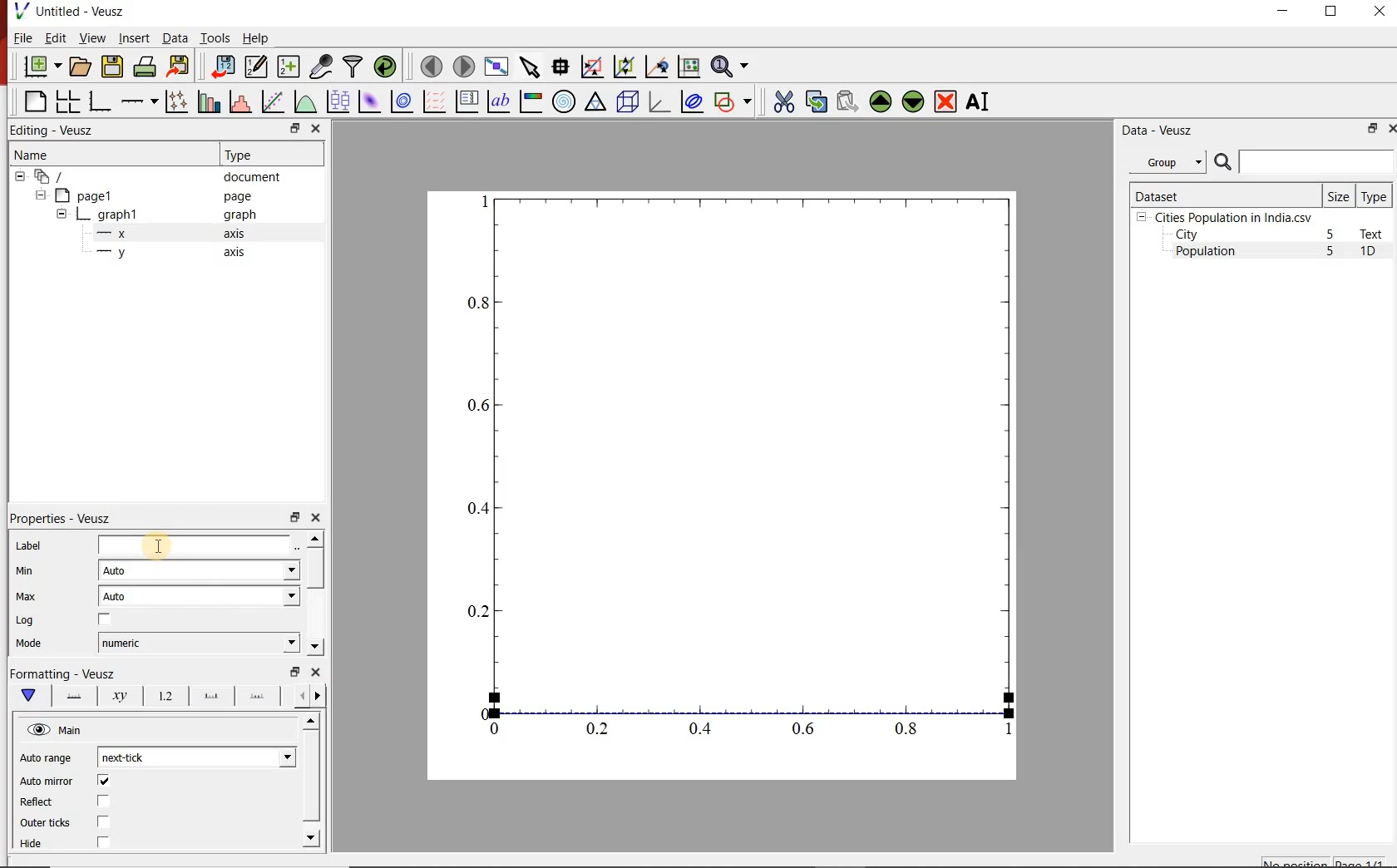  I want to click on next-tick, so click(195, 757).